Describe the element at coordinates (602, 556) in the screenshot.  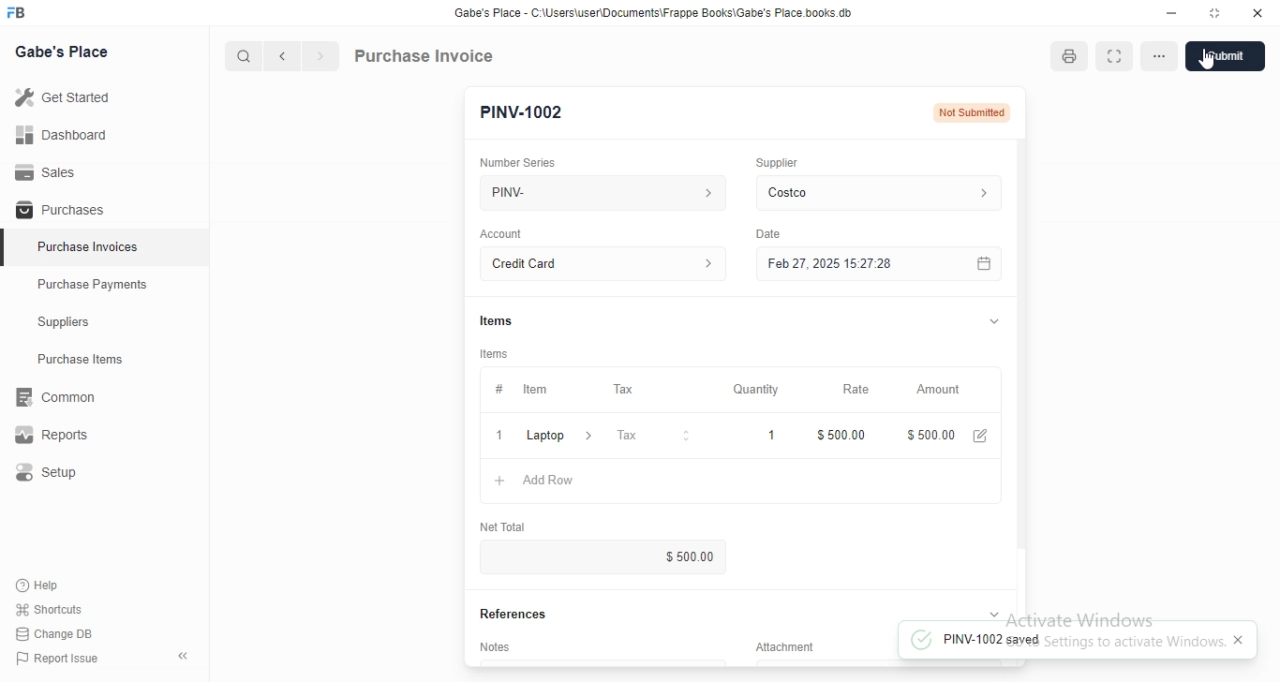
I see `$ 500.00` at that location.